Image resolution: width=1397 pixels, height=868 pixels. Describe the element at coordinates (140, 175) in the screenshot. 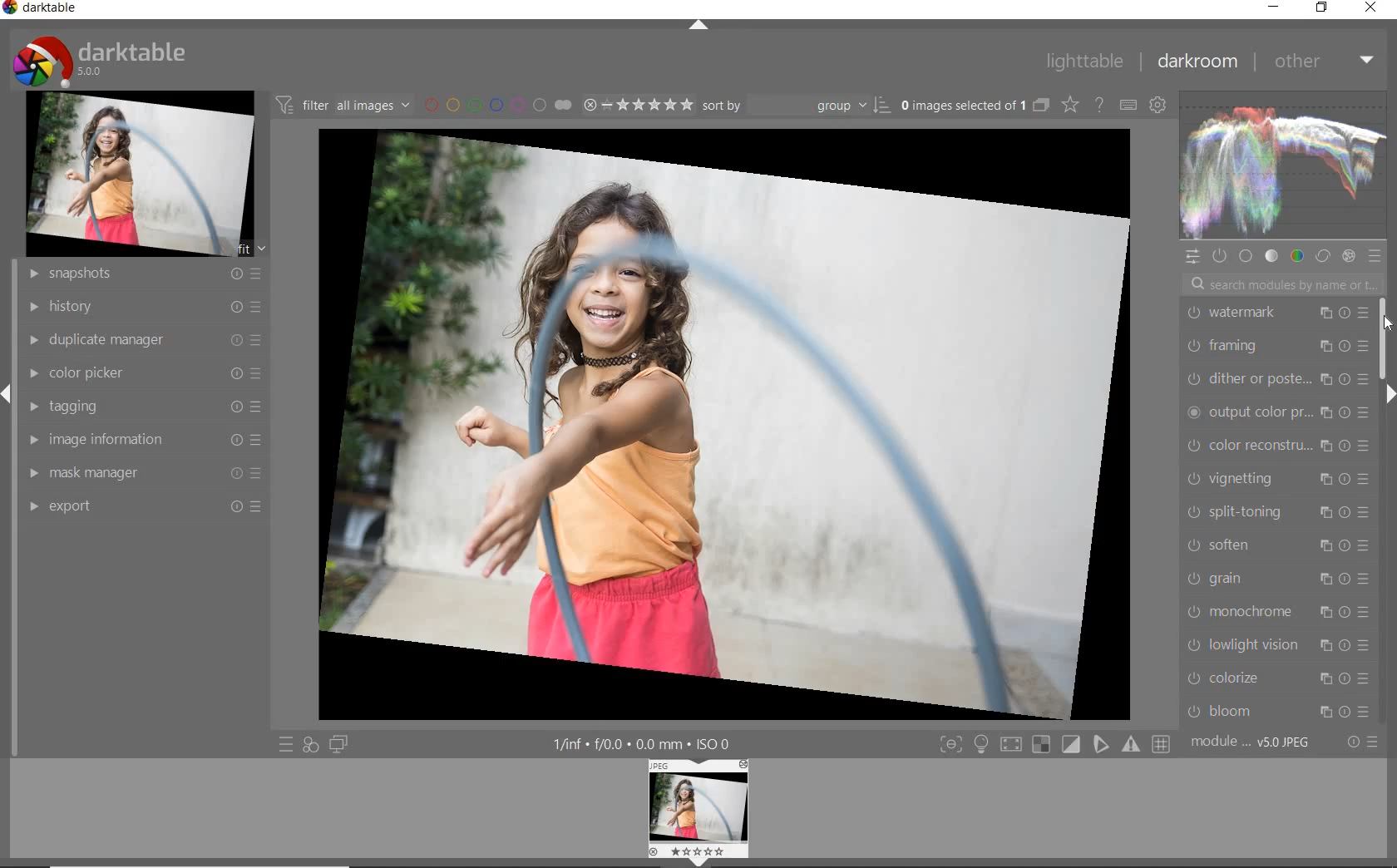

I see `image` at that location.